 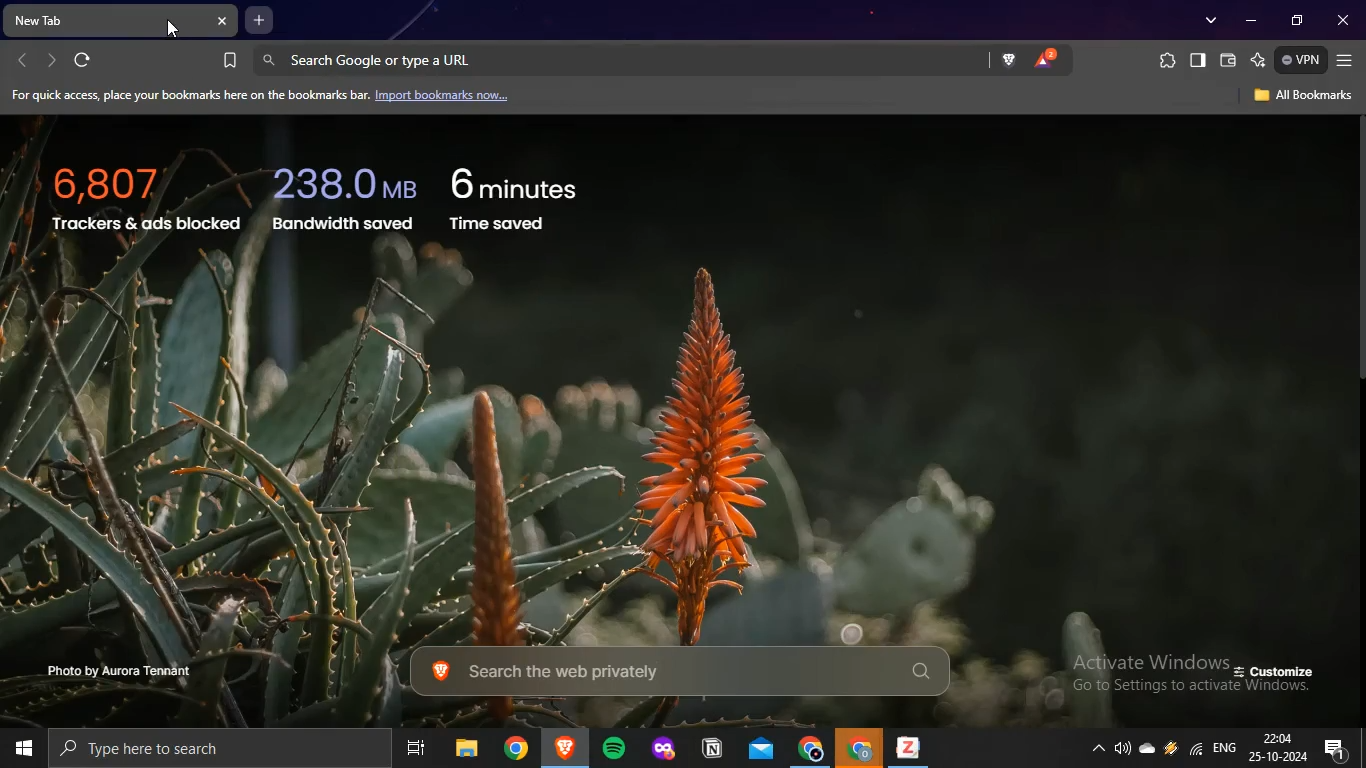 I want to click on brave shield, so click(x=1006, y=60).